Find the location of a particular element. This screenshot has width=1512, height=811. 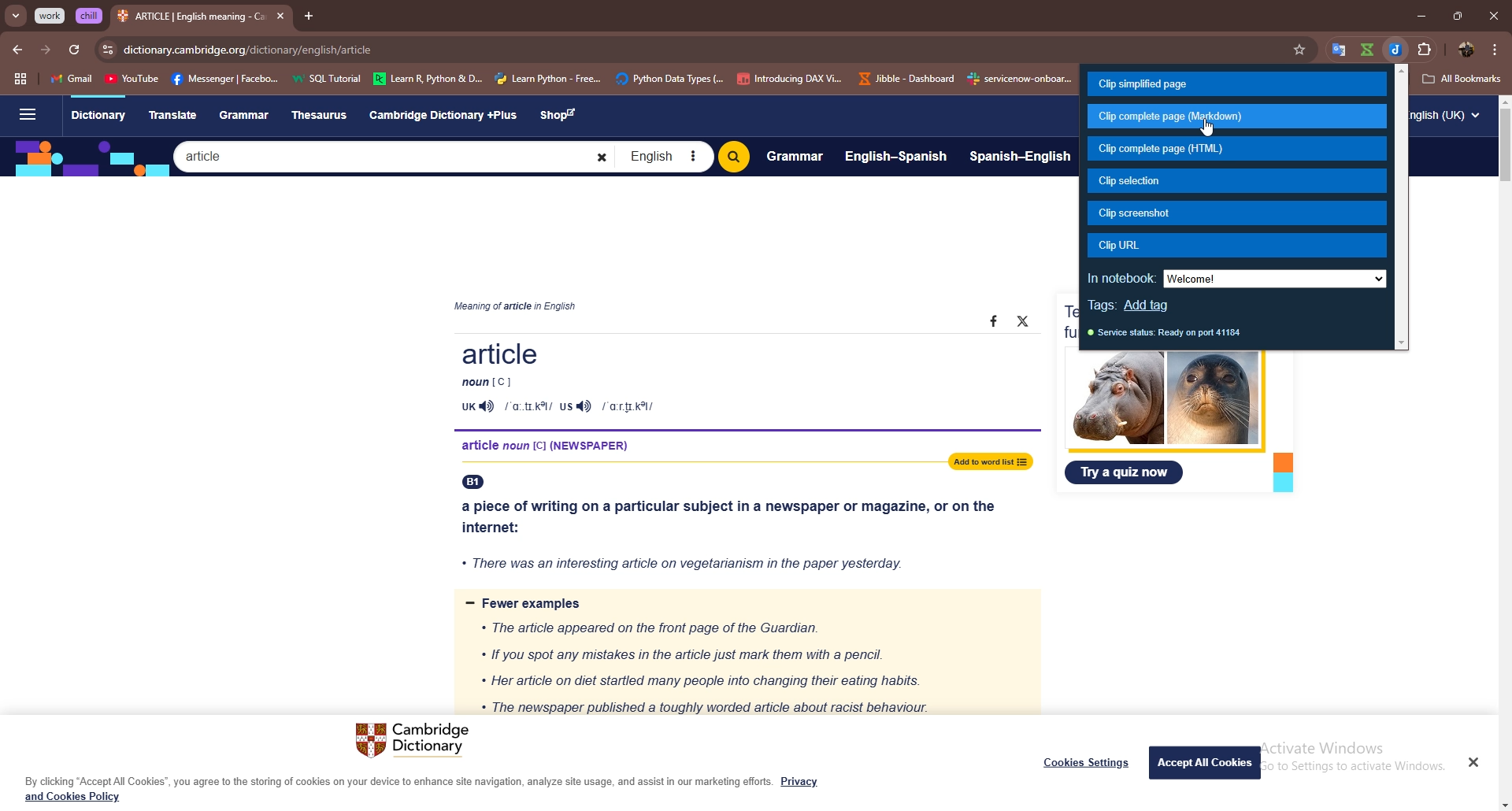

resize is located at coordinates (1457, 15).